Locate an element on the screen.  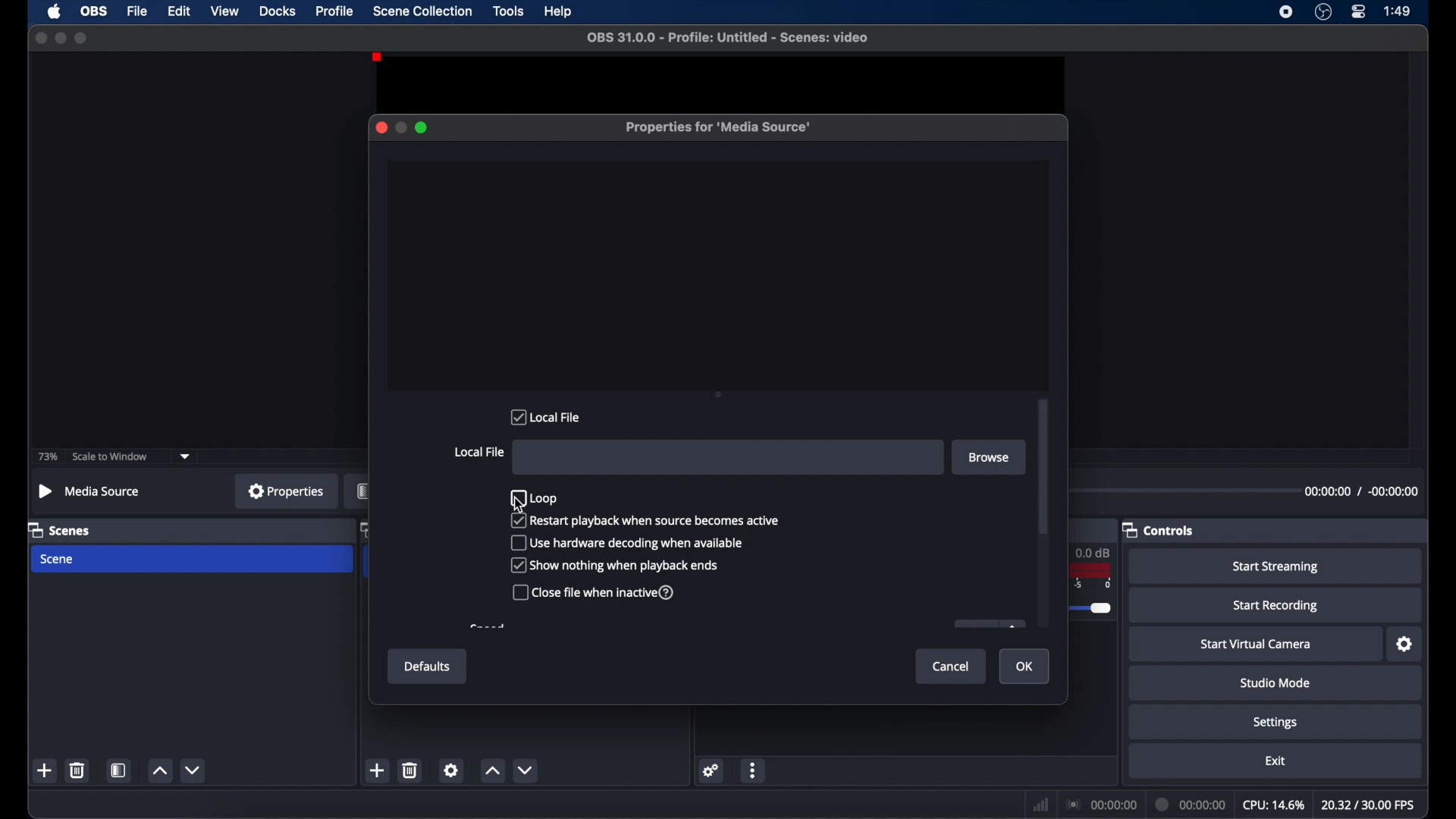
file is located at coordinates (138, 11).